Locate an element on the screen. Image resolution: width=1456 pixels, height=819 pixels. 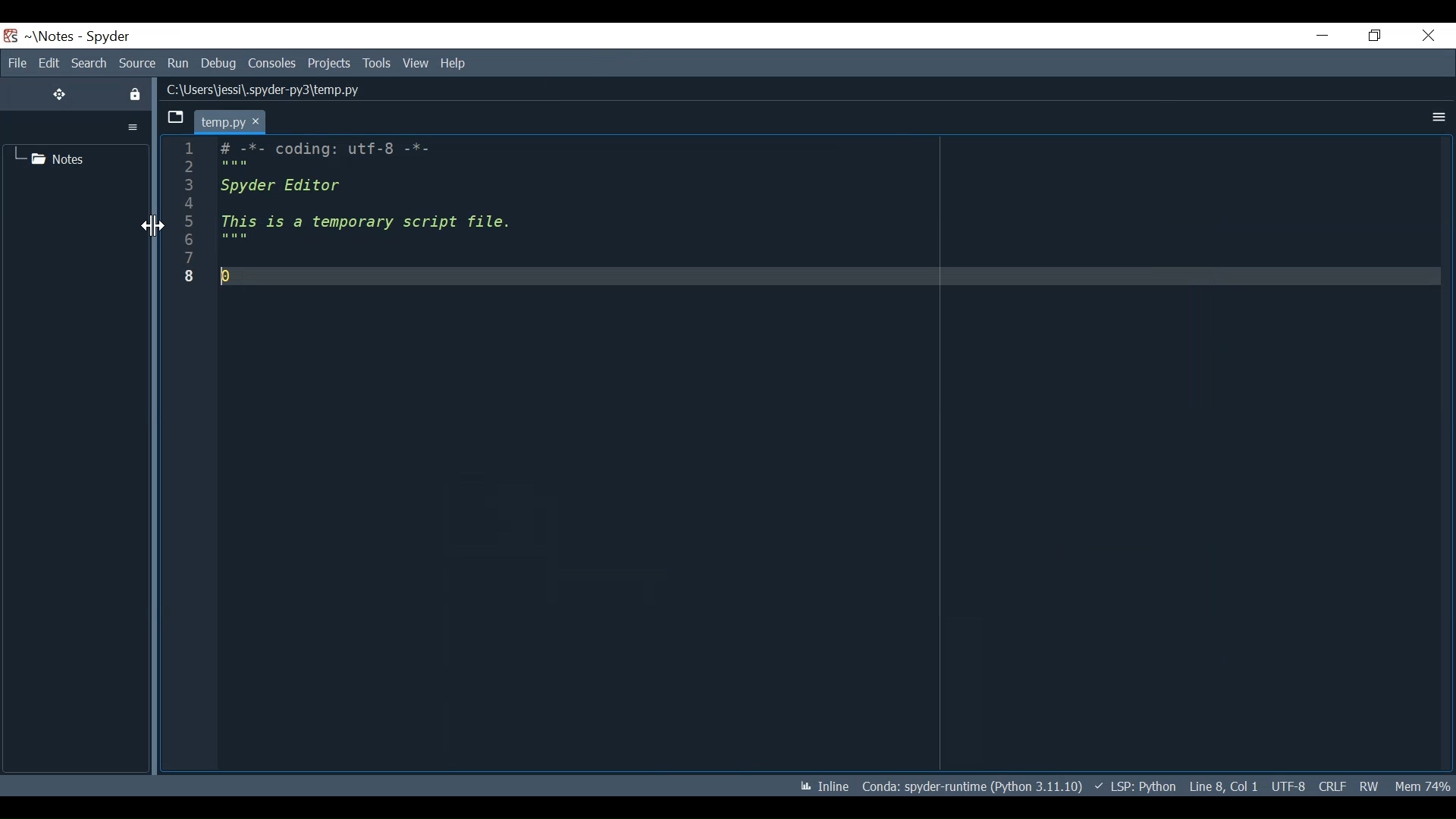
Tools is located at coordinates (377, 64).